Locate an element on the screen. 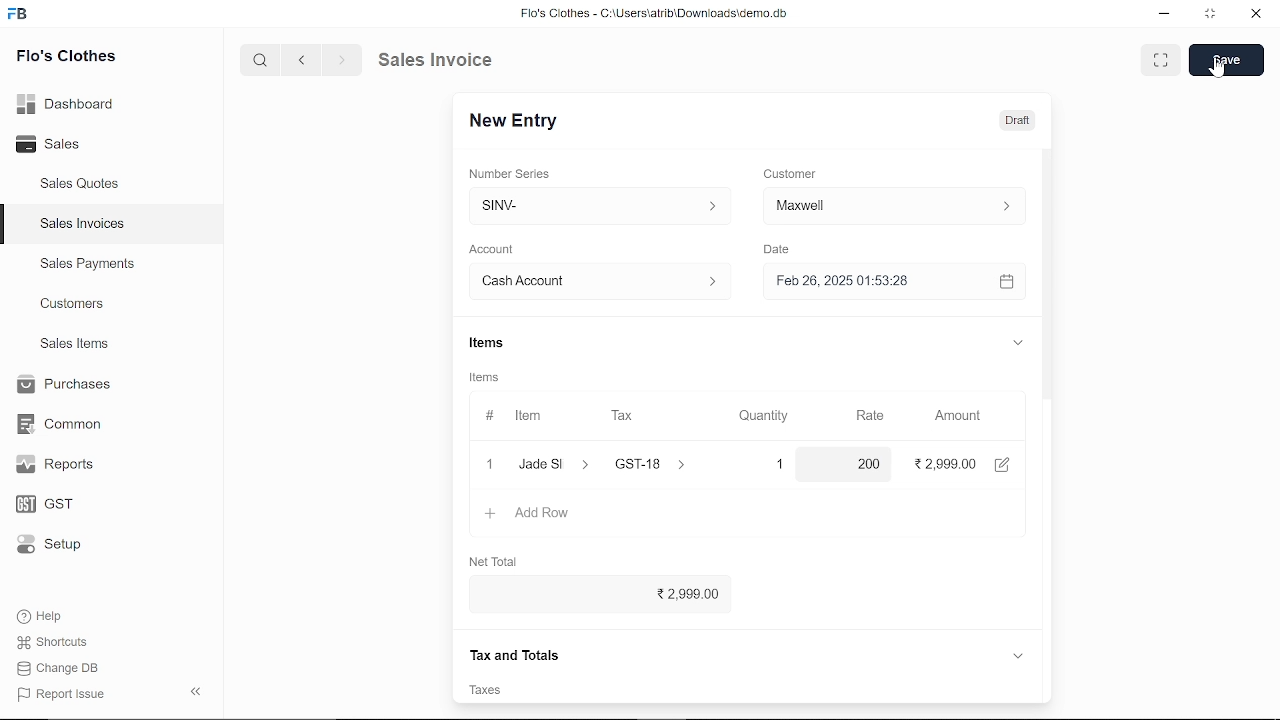 Image resolution: width=1280 pixels, height=720 pixels. Help is located at coordinates (53, 616).